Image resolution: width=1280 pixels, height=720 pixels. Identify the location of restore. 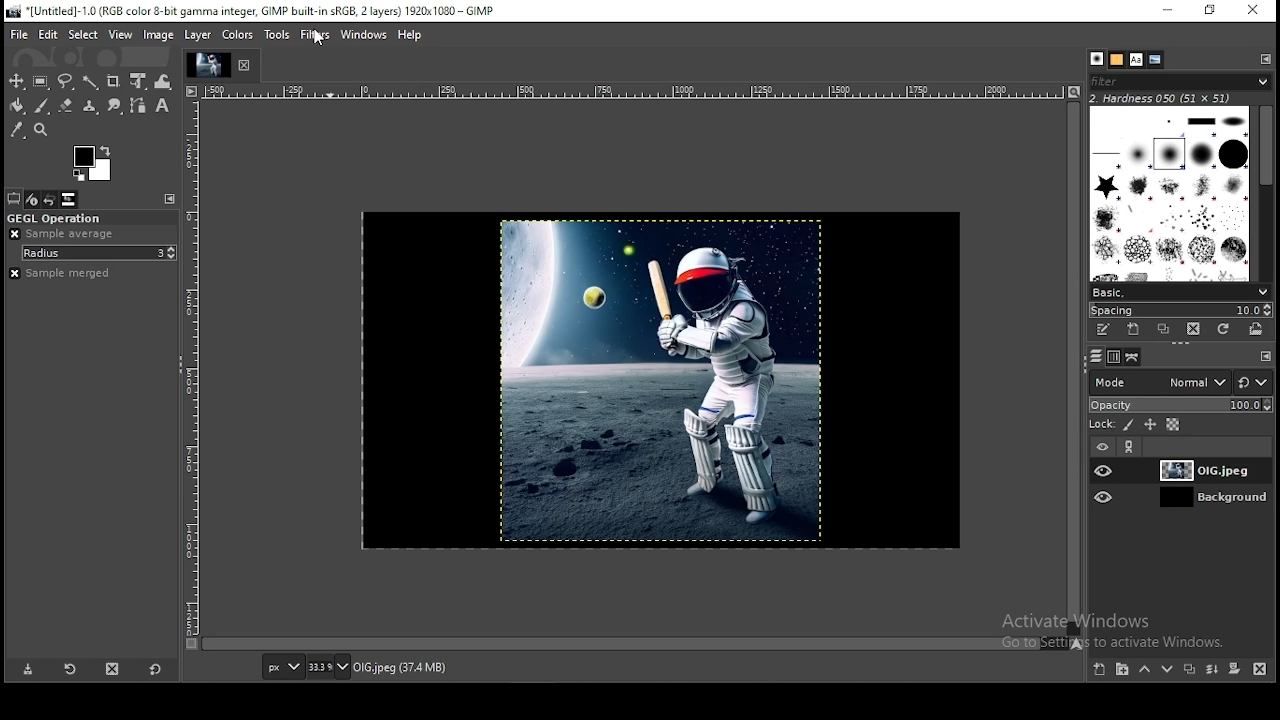
(1215, 11).